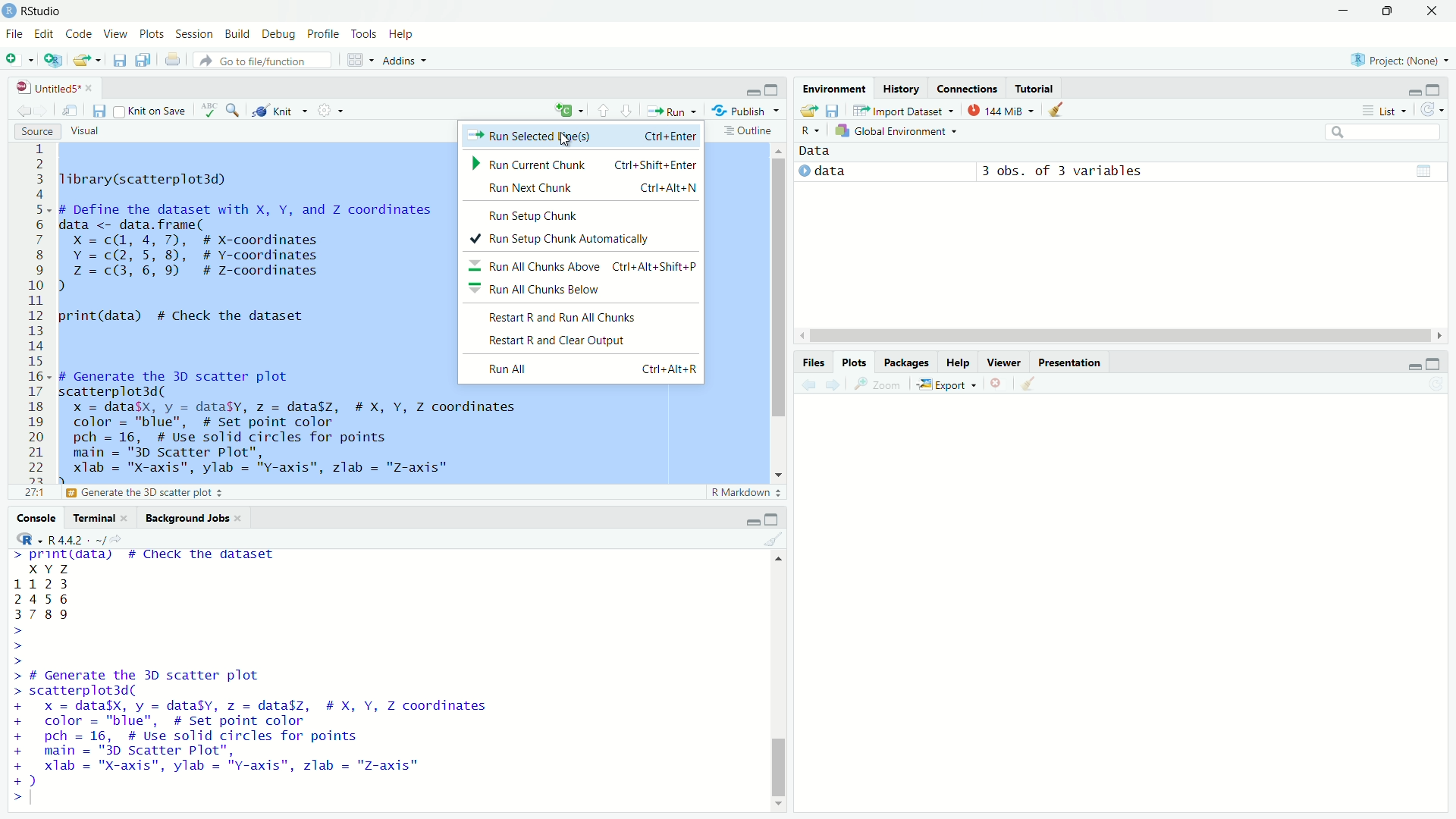  What do you see at coordinates (582, 164) in the screenshot?
I see `Run Current Chunk` at bounding box center [582, 164].